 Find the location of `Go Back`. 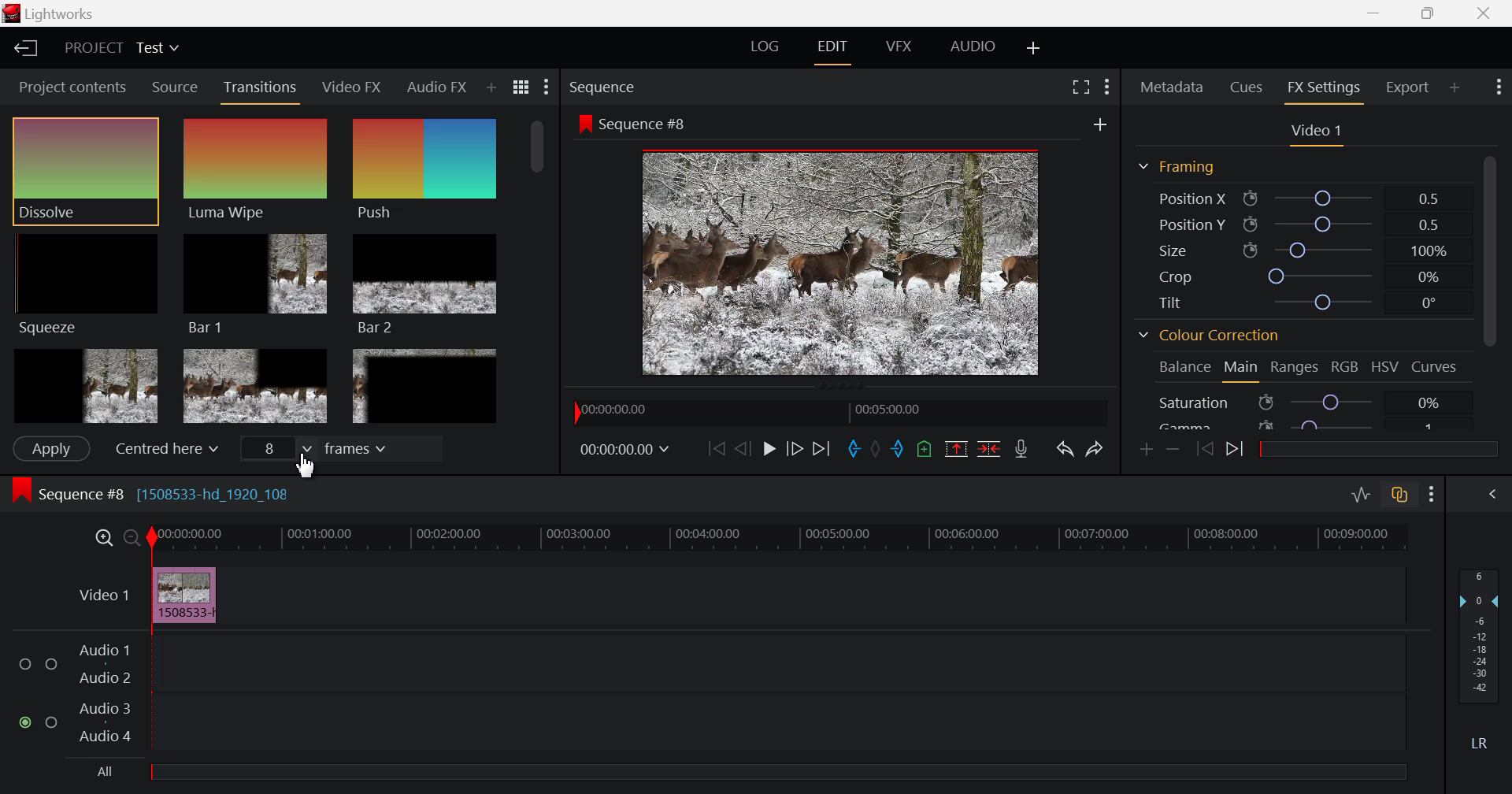

Go Back is located at coordinates (743, 450).